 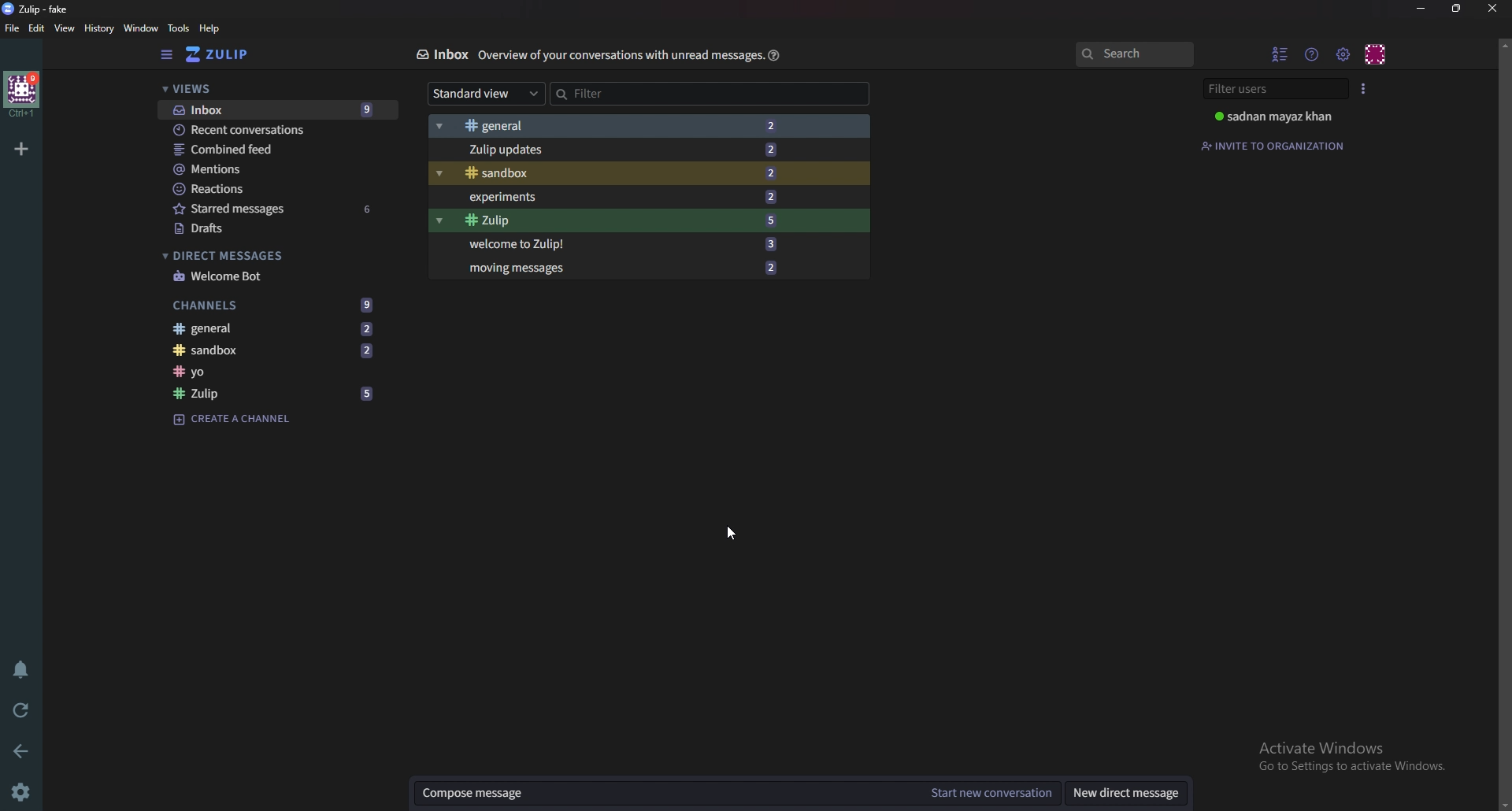 I want to click on Direct messages, so click(x=253, y=256).